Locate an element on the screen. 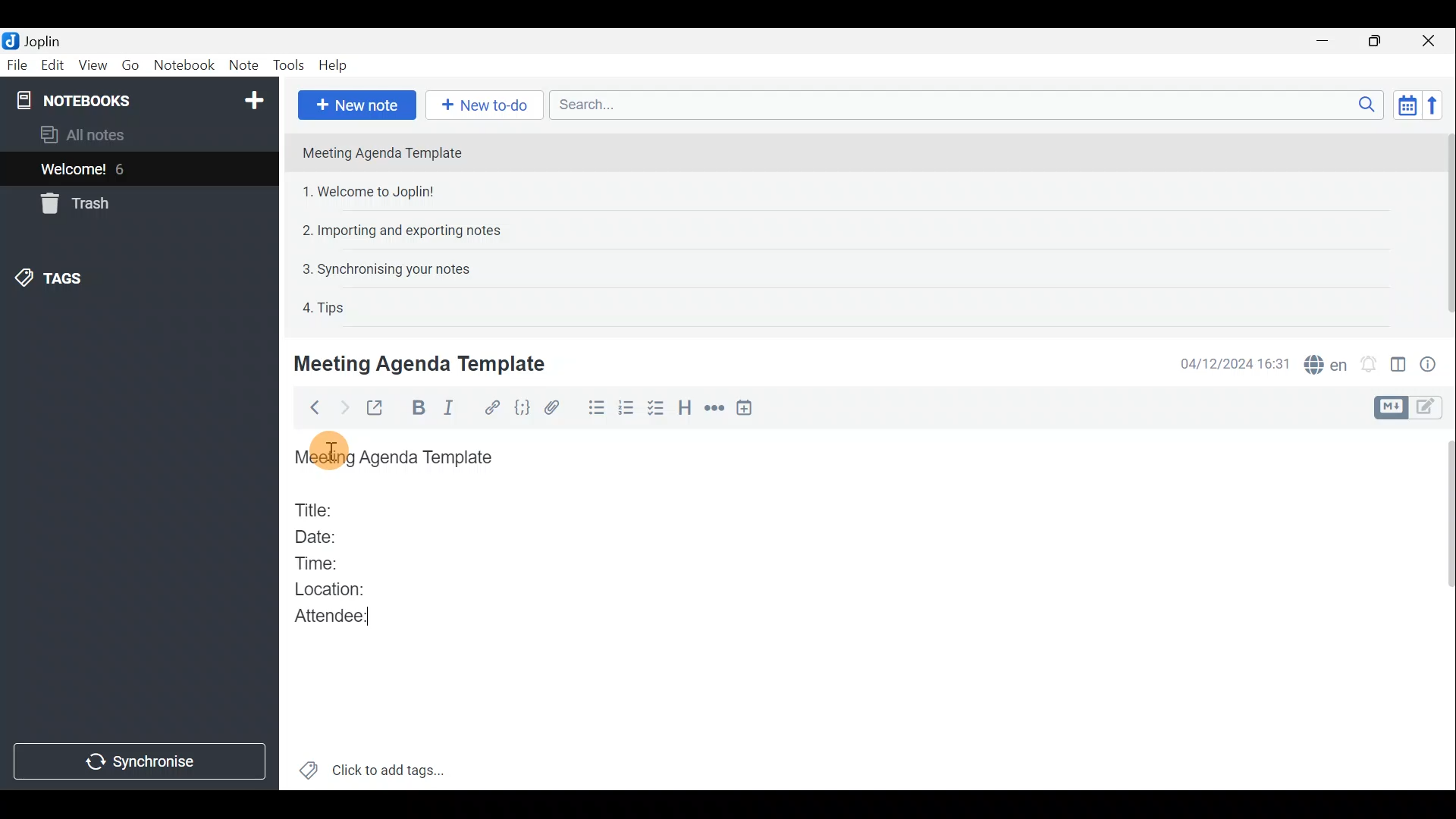 The image size is (1456, 819). Italic is located at coordinates (457, 409).